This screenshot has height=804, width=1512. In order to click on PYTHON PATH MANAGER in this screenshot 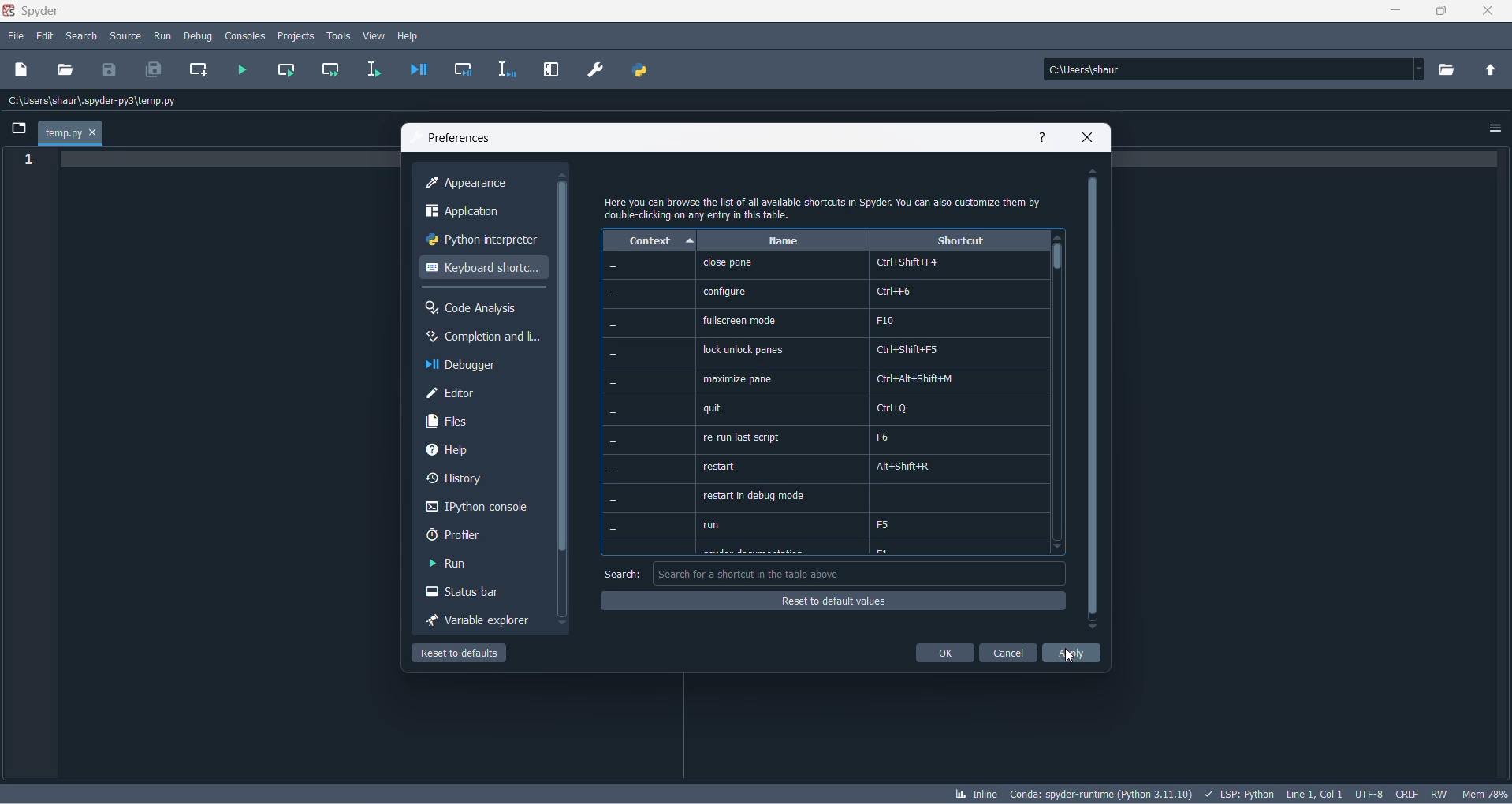, I will do `click(639, 68)`.